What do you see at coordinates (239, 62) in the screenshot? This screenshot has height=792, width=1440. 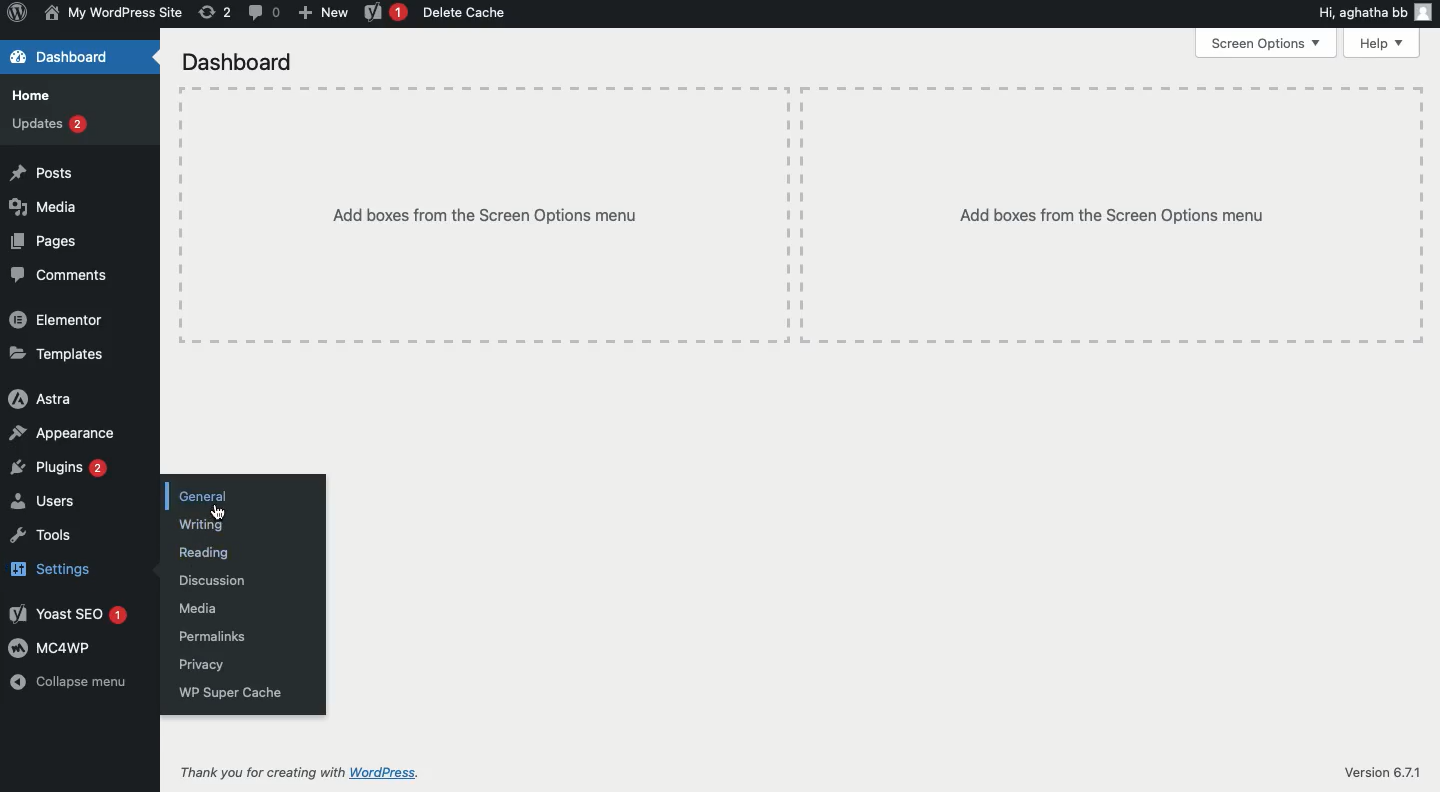 I see `Dashboard` at bounding box center [239, 62].